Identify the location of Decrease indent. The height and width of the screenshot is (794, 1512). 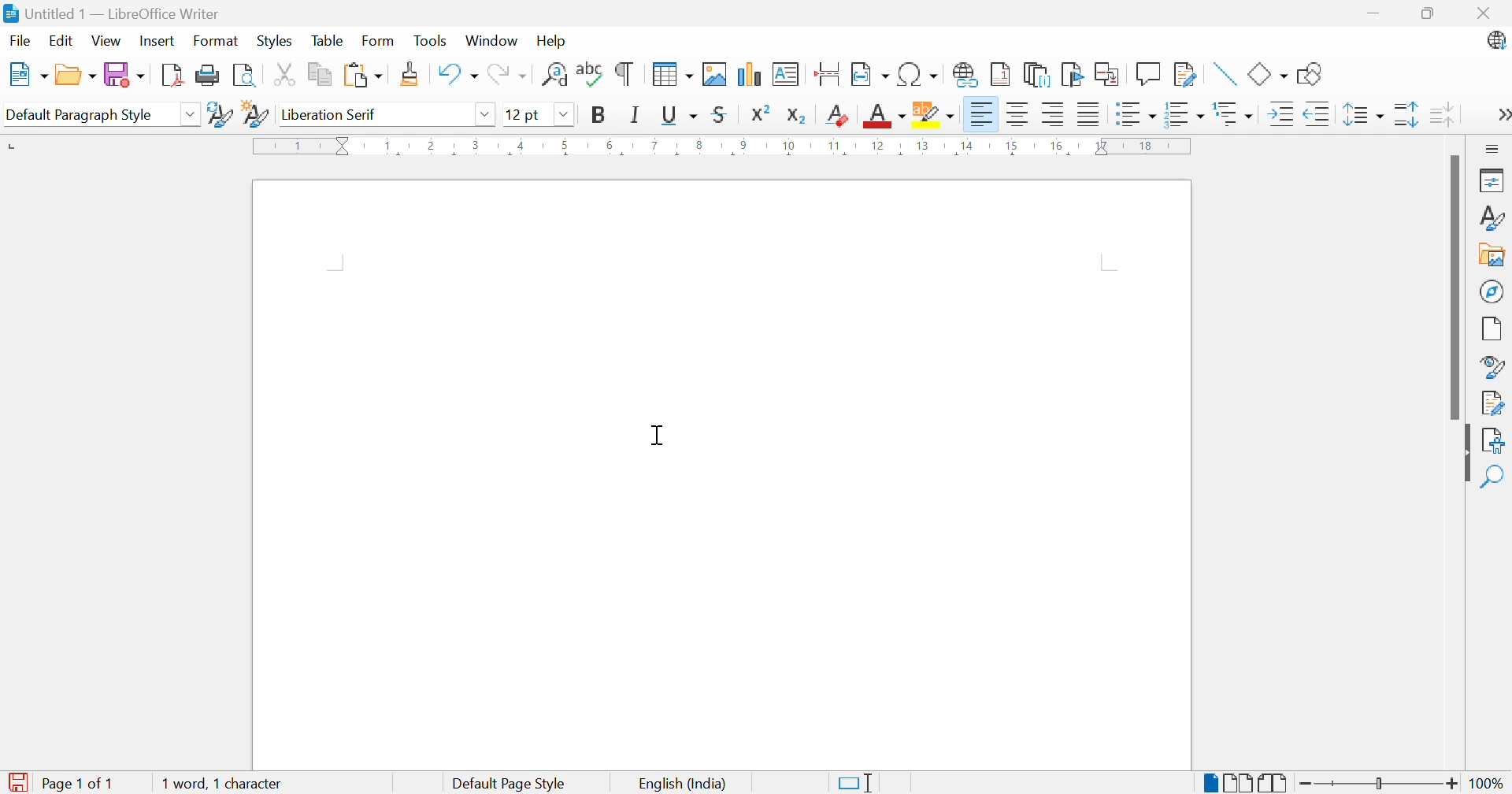
(1318, 115).